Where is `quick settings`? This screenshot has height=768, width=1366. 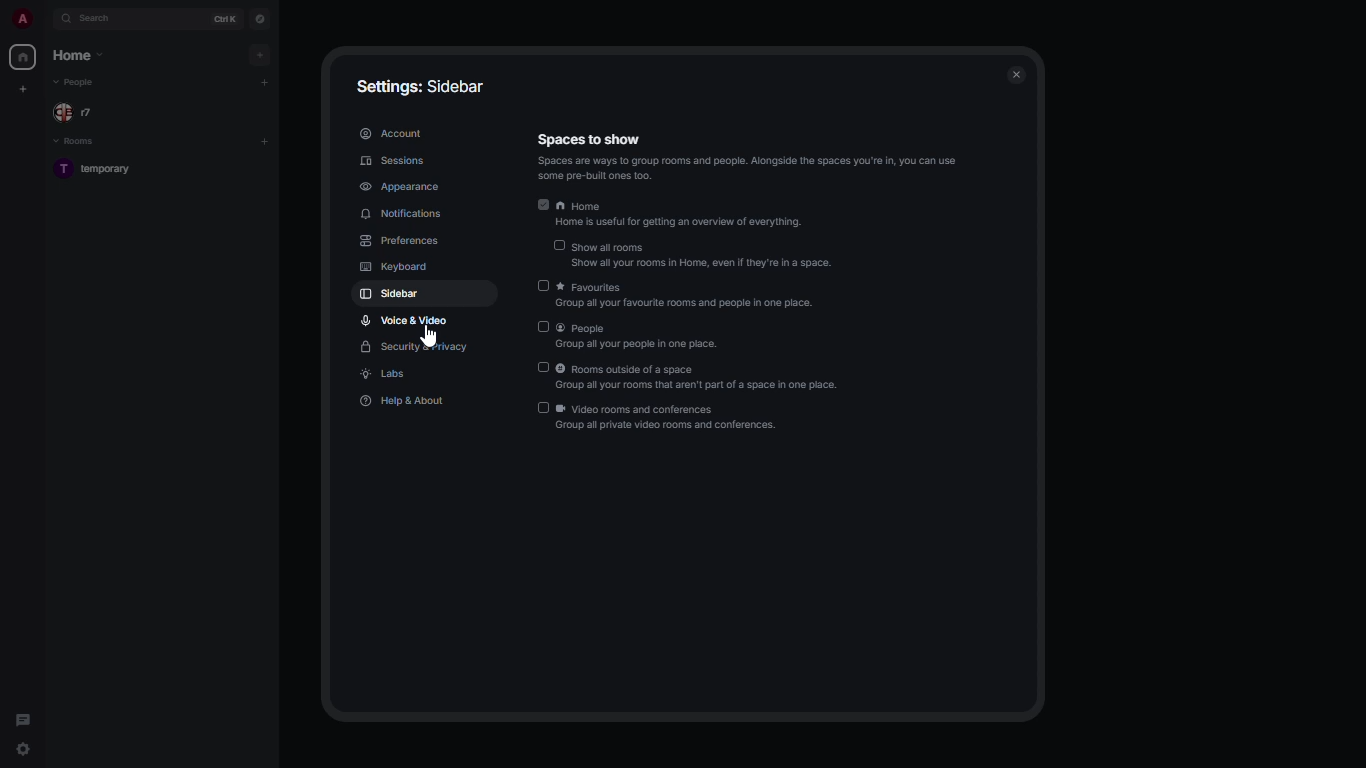
quick settings is located at coordinates (23, 750).